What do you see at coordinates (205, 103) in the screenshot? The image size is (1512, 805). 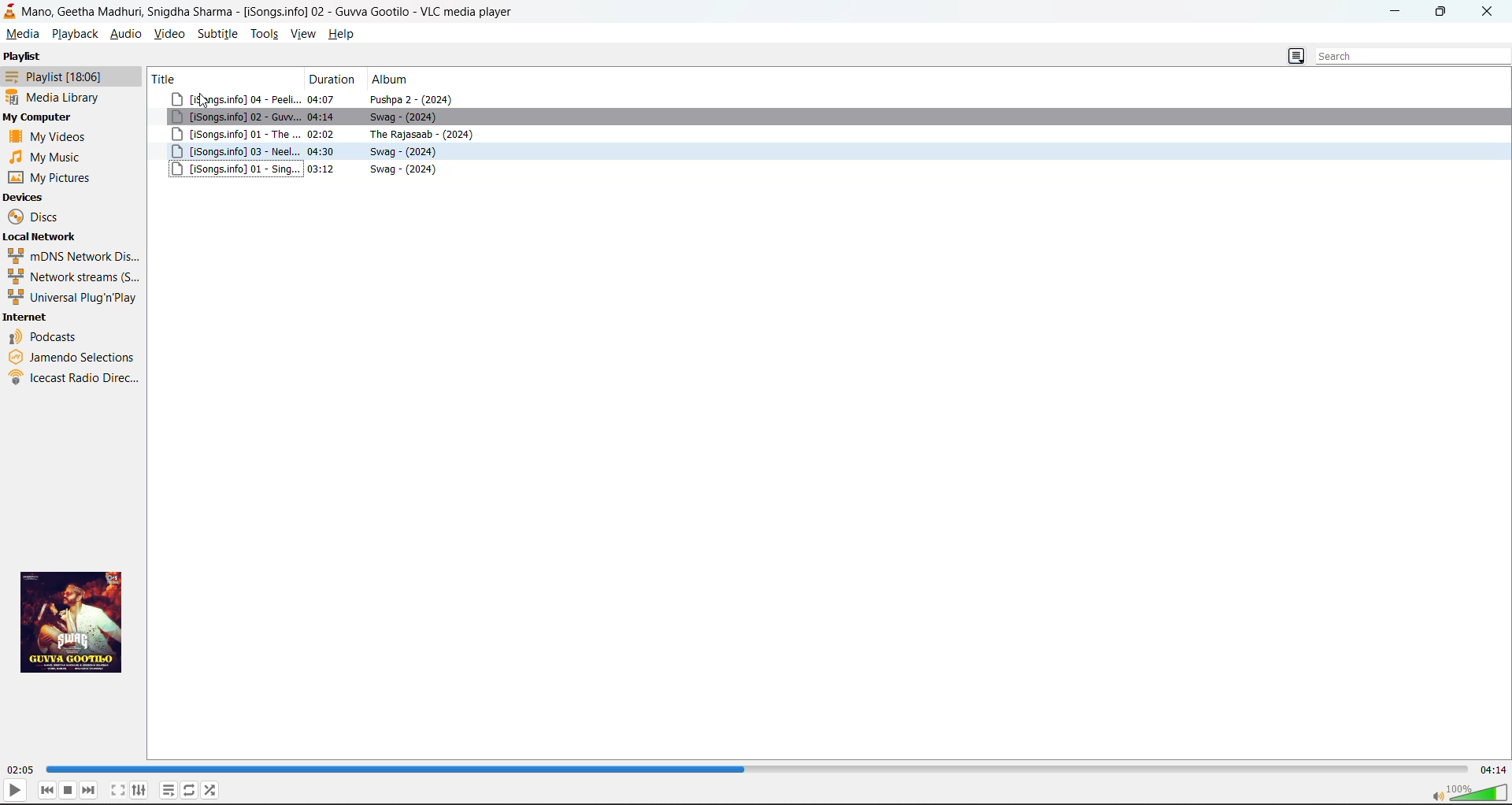 I see `cursor` at bounding box center [205, 103].